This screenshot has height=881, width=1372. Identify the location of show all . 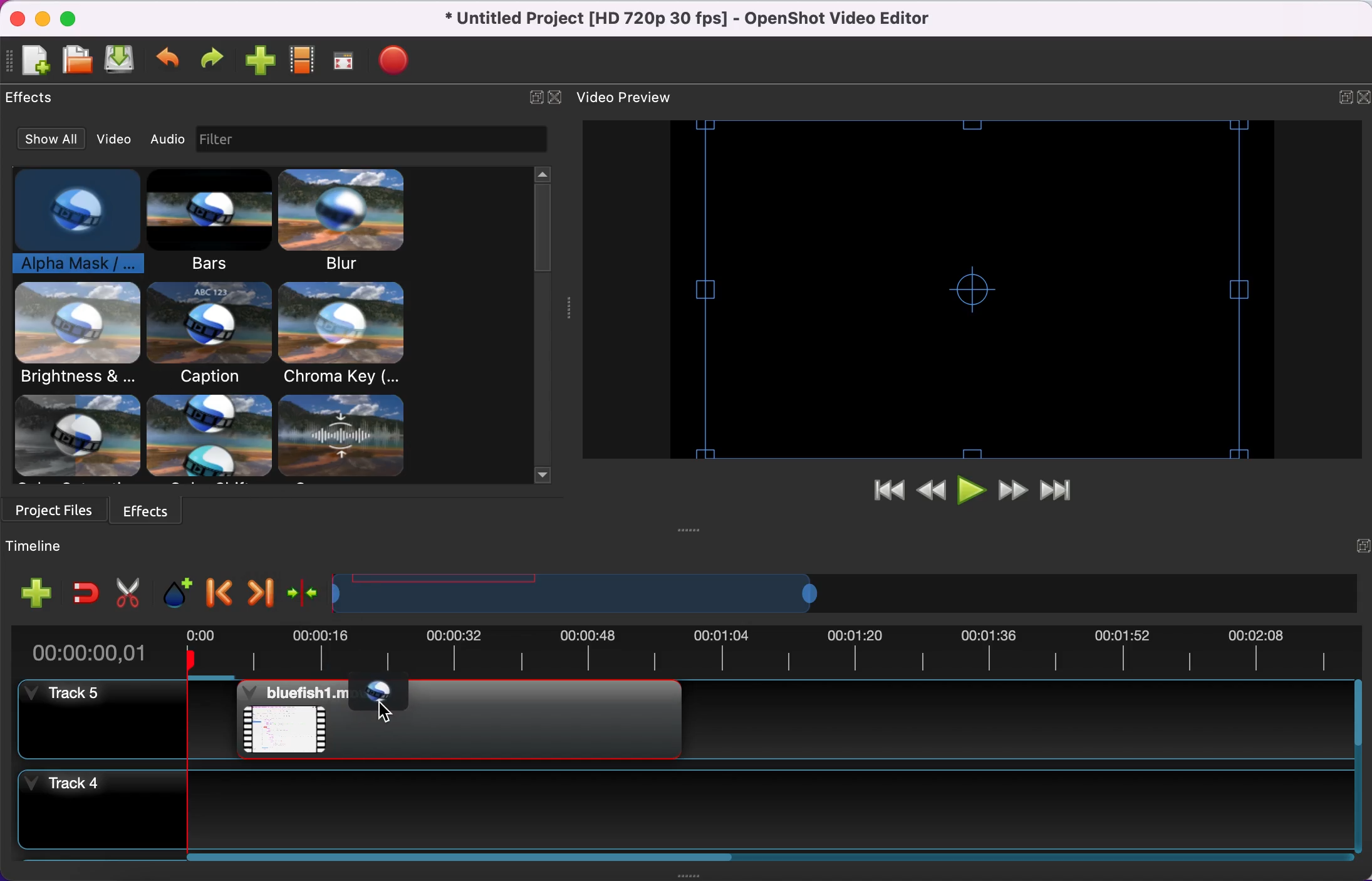
(51, 137).